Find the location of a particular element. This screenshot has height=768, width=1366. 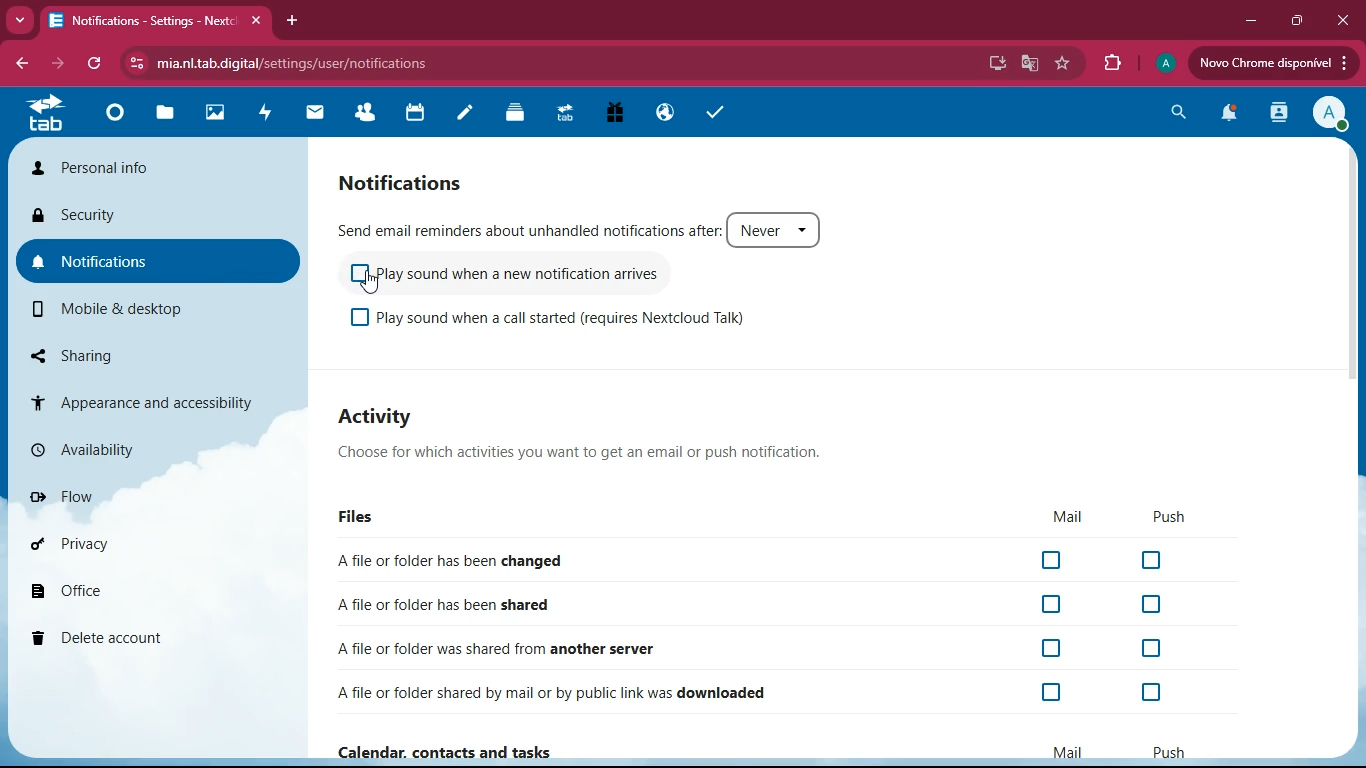

push is located at coordinates (1166, 750).